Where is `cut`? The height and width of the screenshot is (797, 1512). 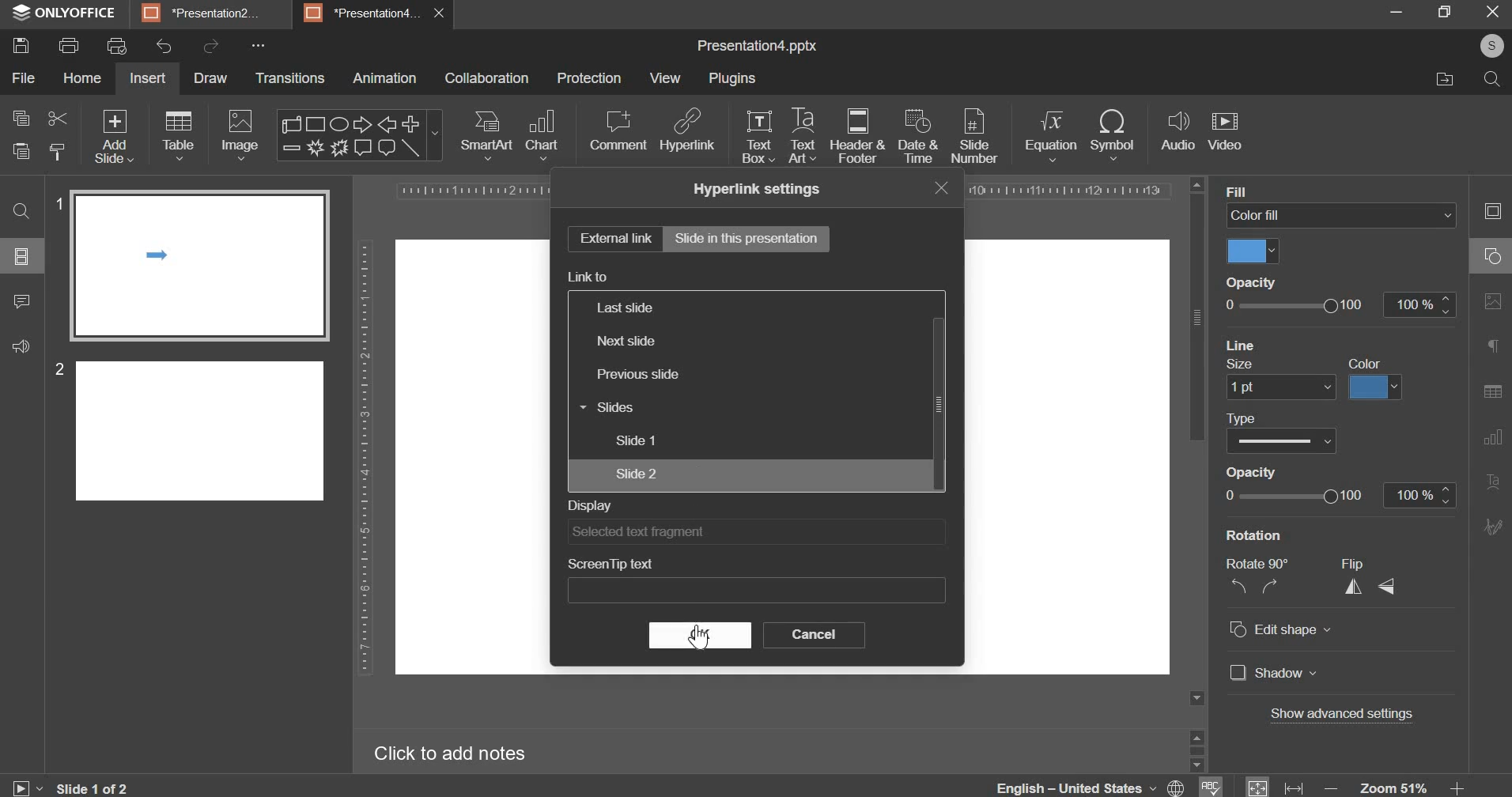 cut is located at coordinates (55, 117).